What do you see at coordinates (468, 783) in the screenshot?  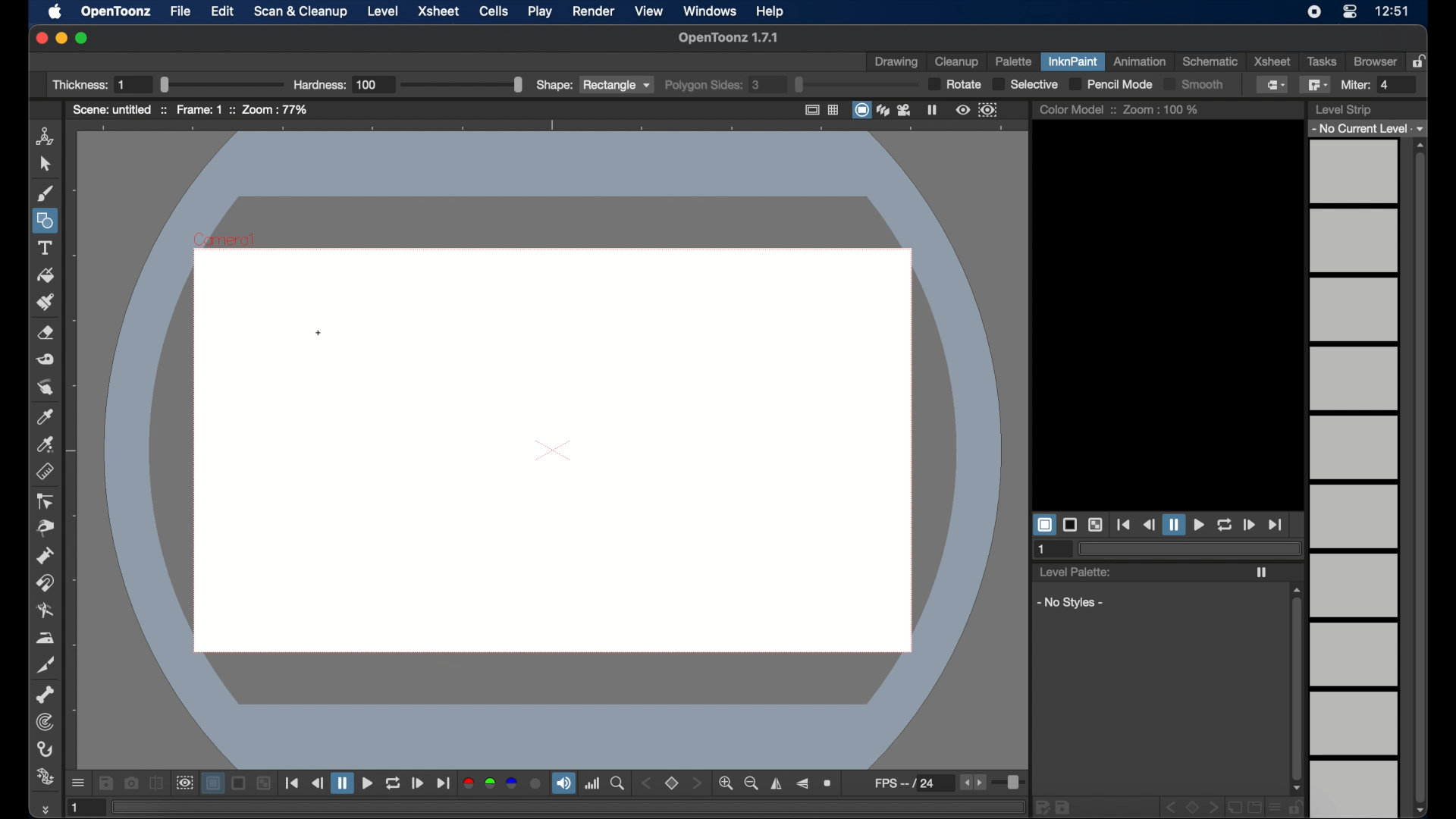 I see `red channel` at bounding box center [468, 783].